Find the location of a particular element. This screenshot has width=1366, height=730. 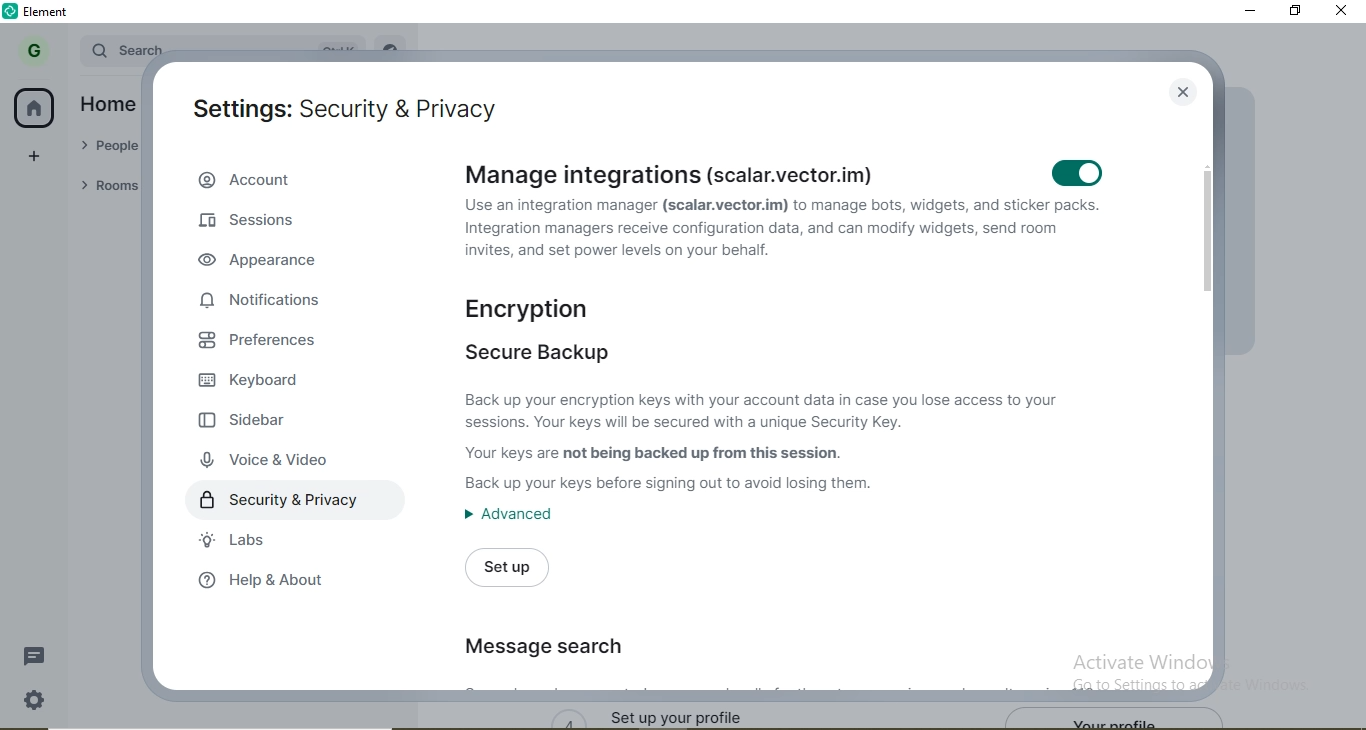

Rooms is located at coordinates (104, 184).